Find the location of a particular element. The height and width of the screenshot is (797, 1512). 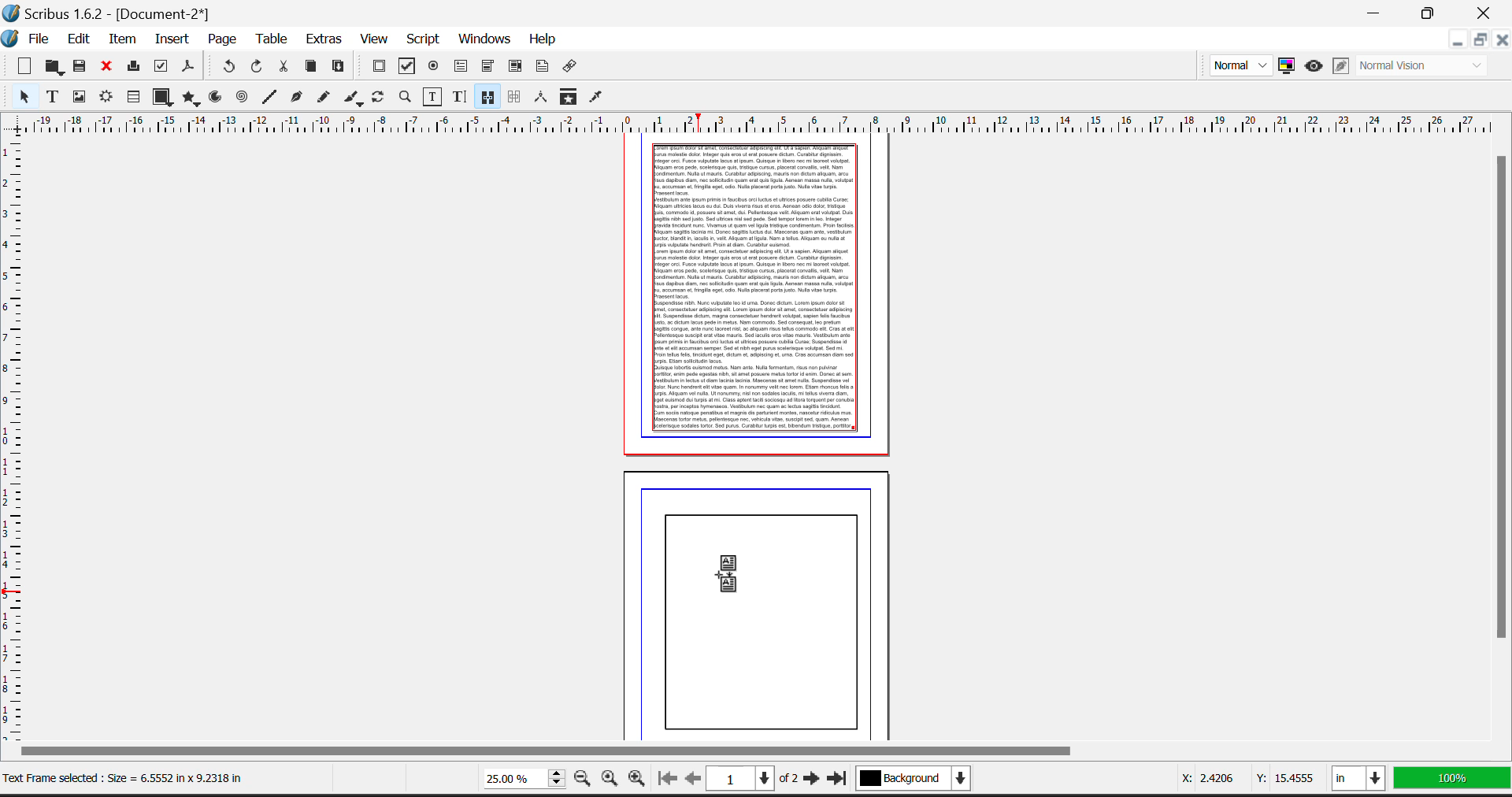

Scroll Bar is located at coordinates (1503, 444).